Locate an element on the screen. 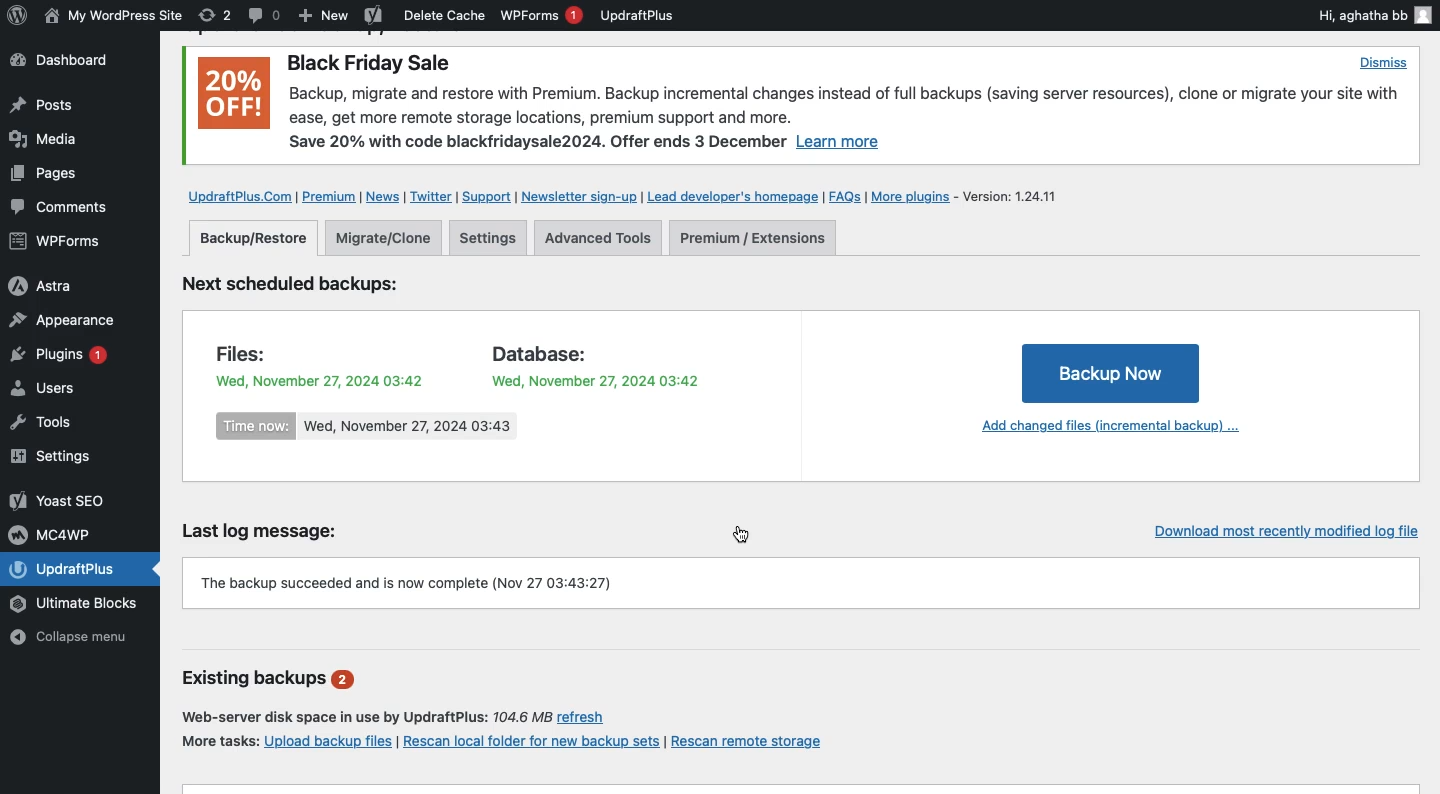 This screenshot has height=794, width=1440. Dismiss is located at coordinates (1384, 63).